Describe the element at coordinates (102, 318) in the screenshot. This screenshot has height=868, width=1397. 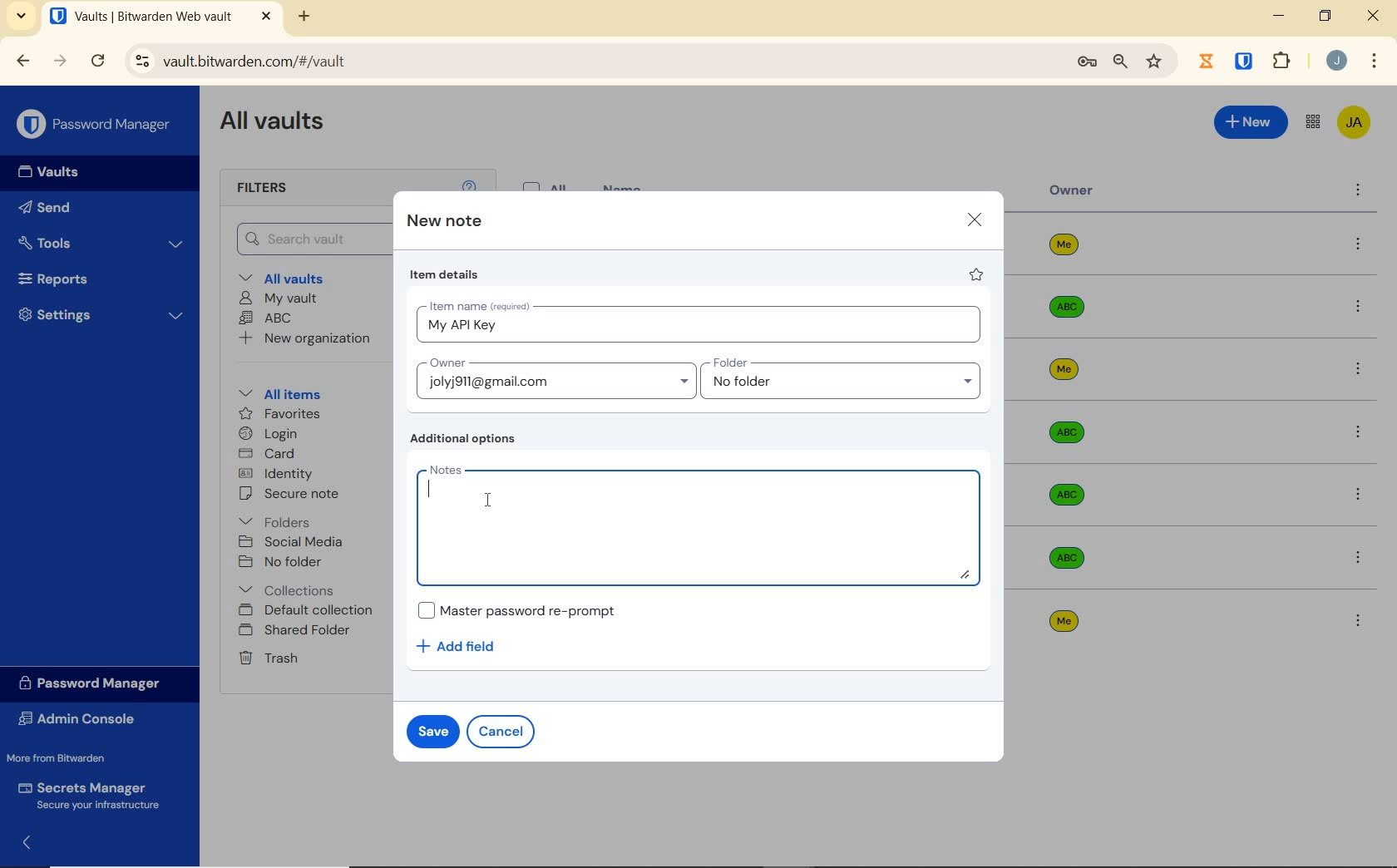
I see `Settings` at that location.